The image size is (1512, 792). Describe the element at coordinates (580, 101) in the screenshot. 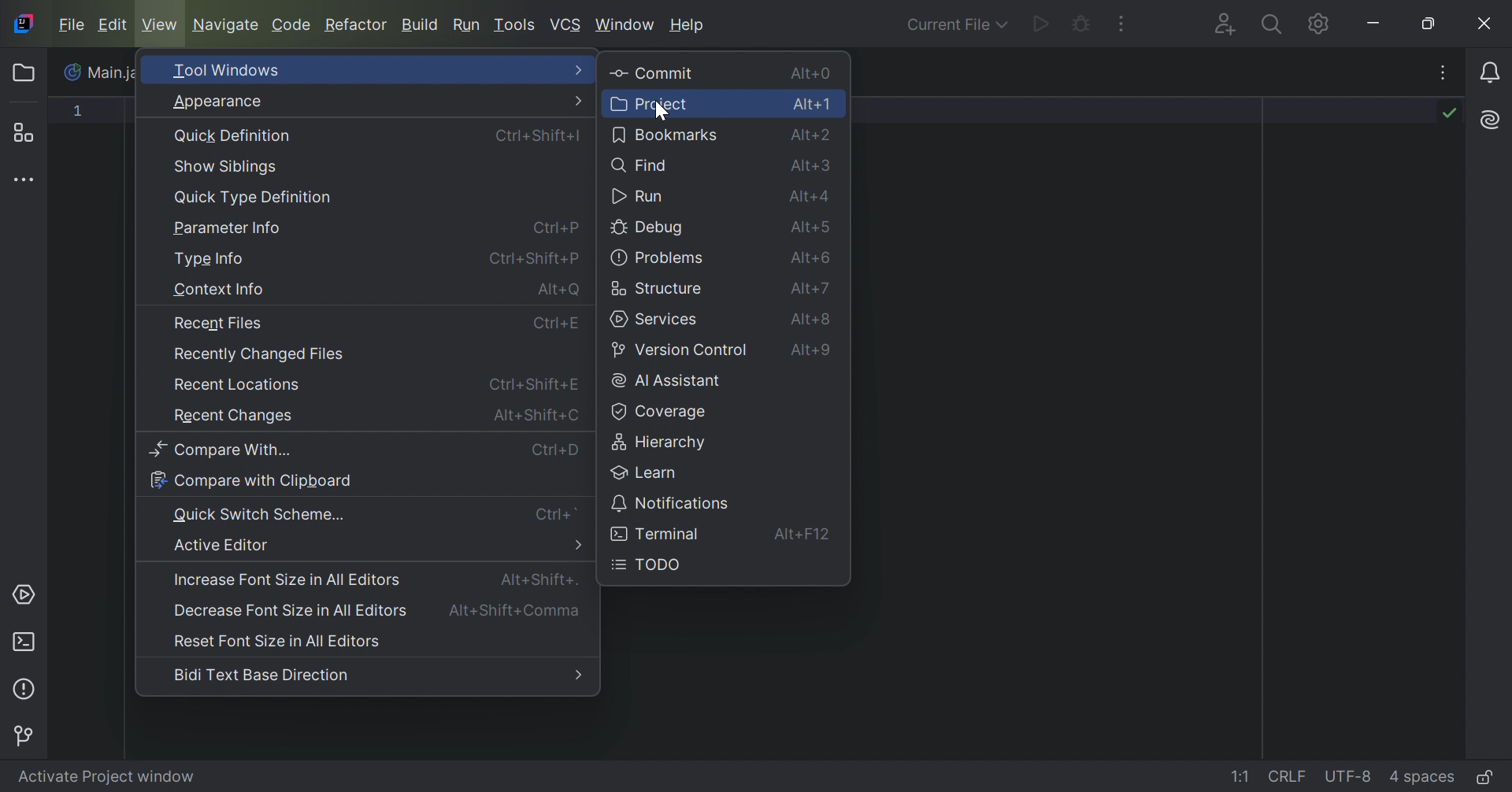

I see `More` at that location.